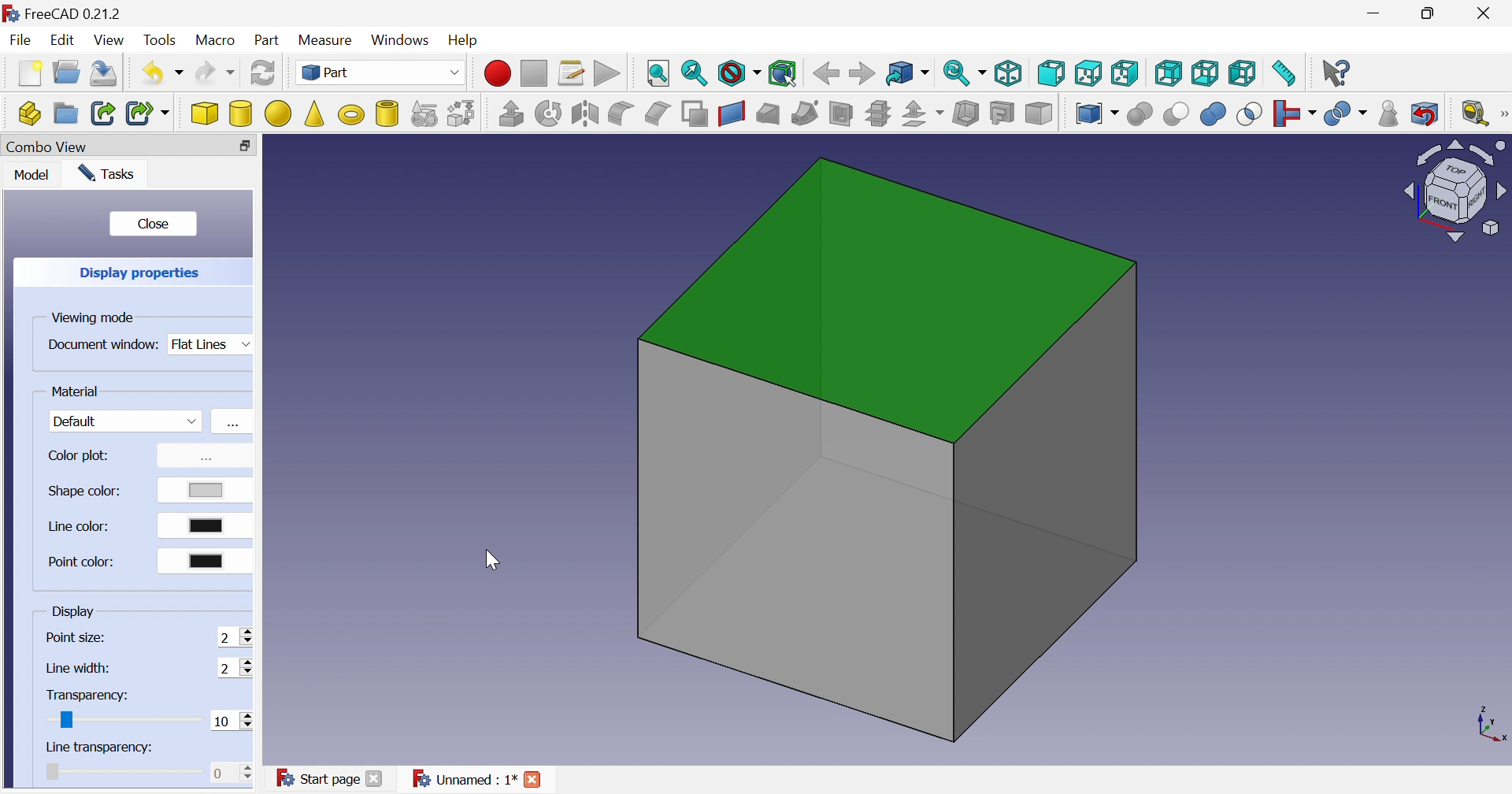 The height and width of the screenshot is (794, 1512). I want to click on Create ruled surface, so click(732, 114).